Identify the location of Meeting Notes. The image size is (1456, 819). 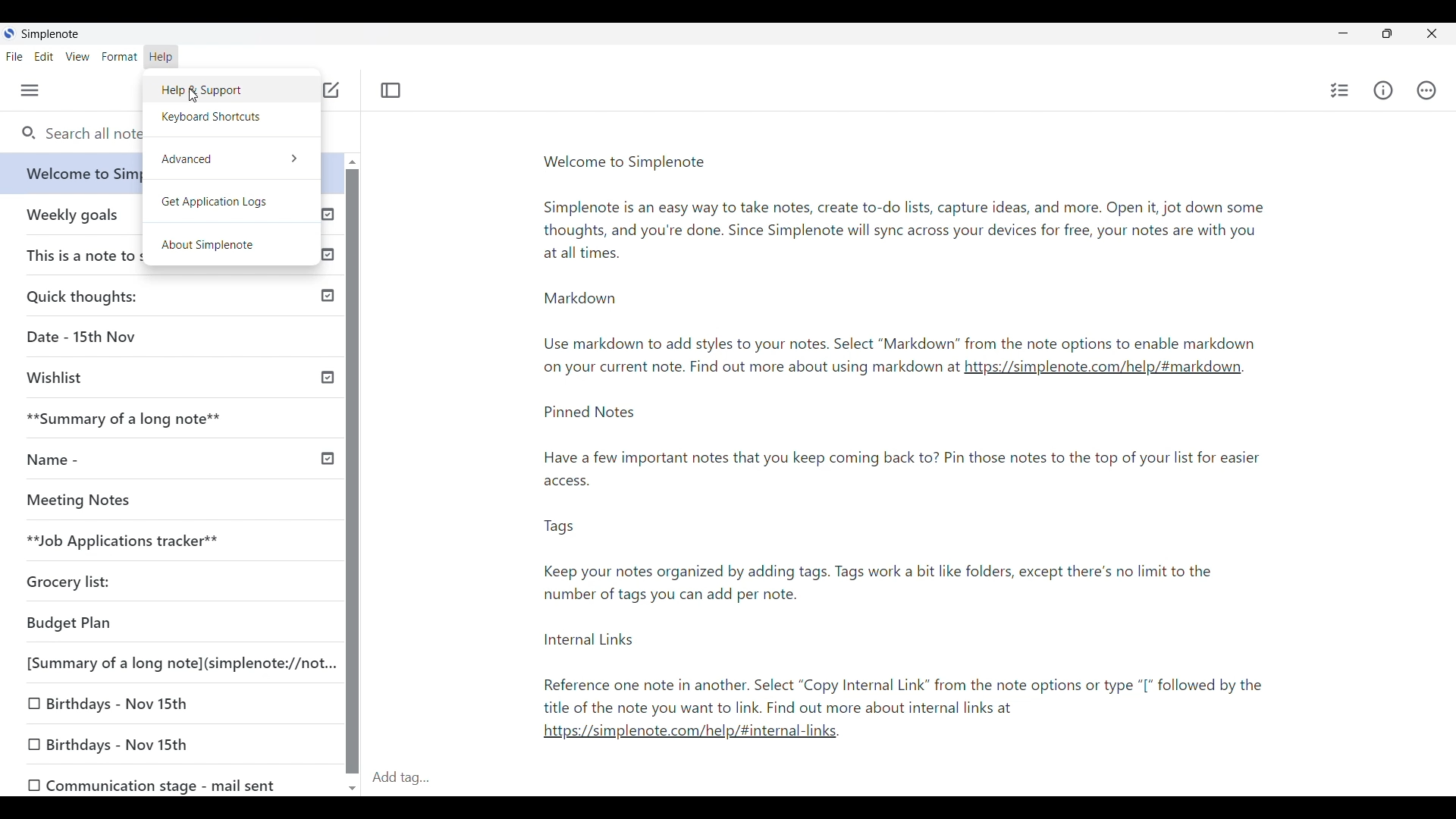
(113, 500).